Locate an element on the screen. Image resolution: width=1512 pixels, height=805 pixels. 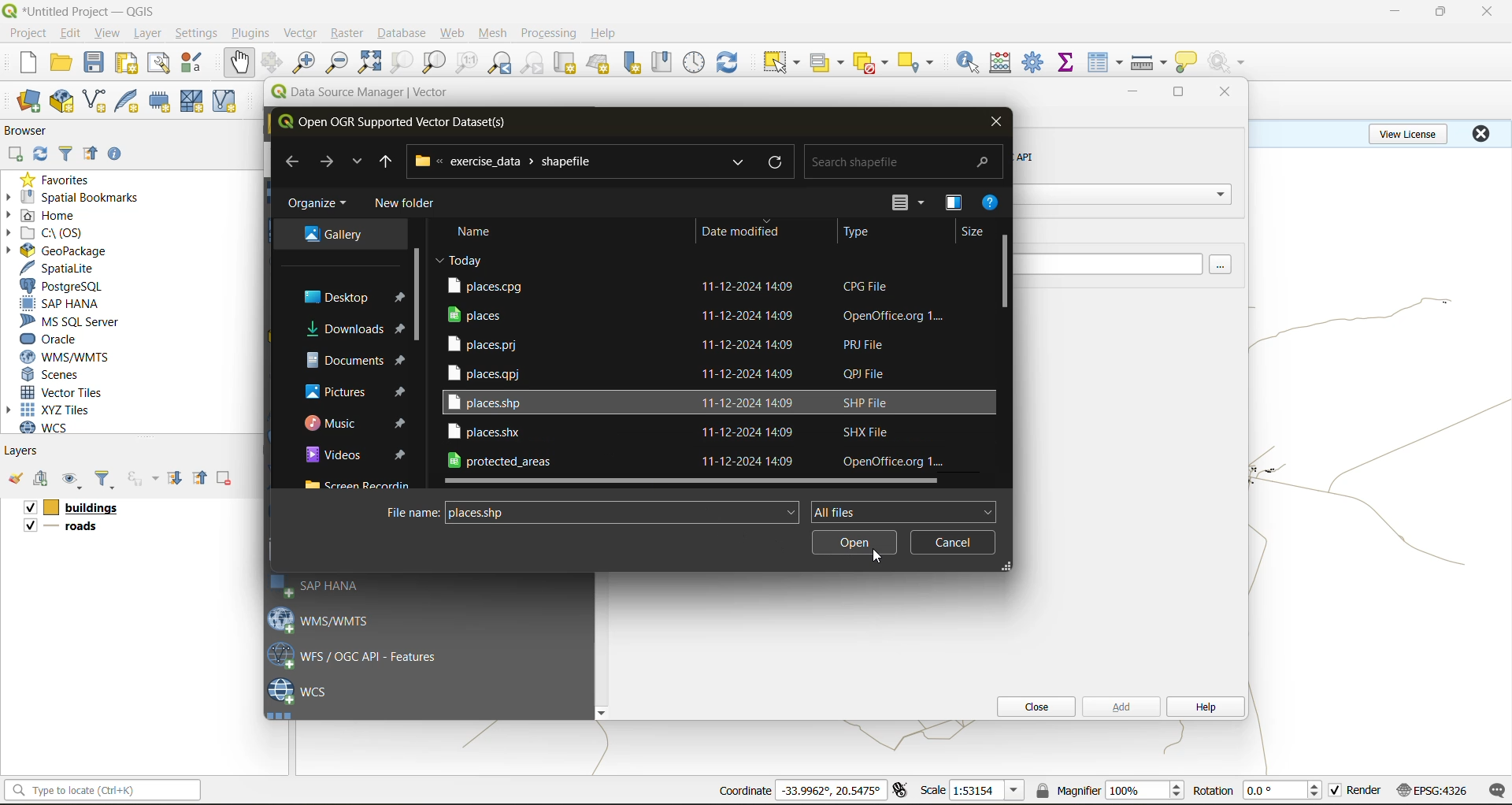
wcs is located at coordinates (53, 428).